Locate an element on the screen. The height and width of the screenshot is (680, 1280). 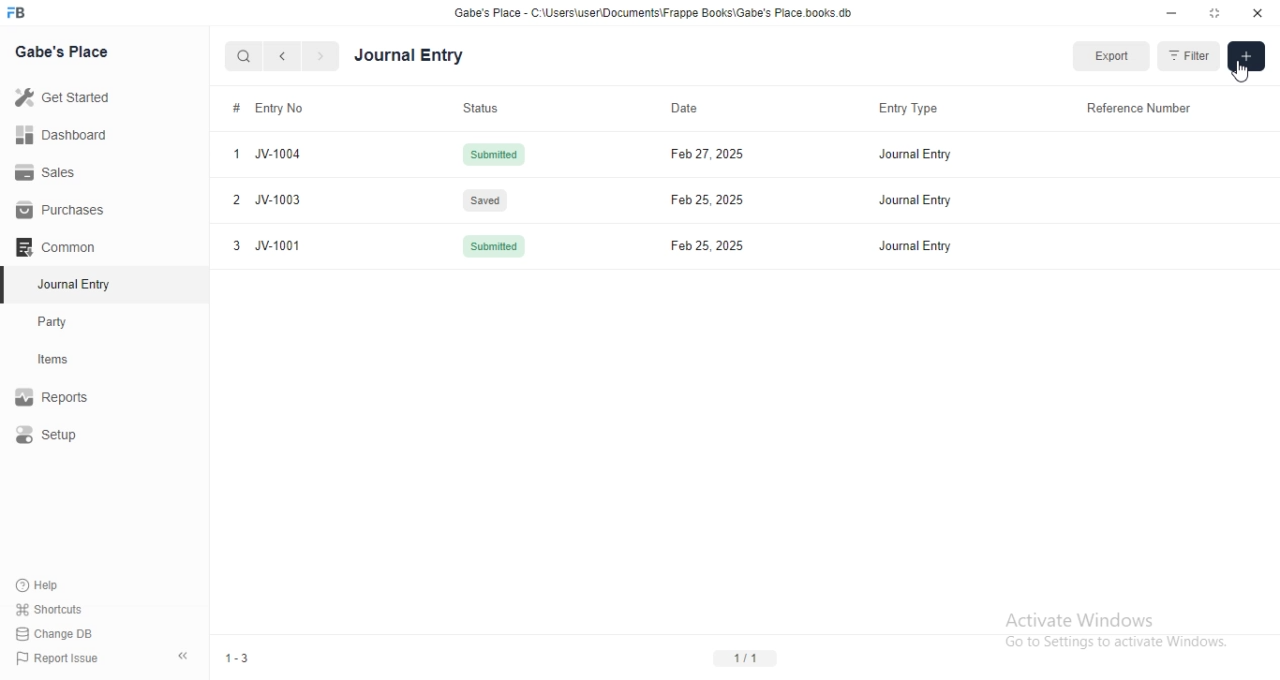
Party is located at coordinates (66, 322).